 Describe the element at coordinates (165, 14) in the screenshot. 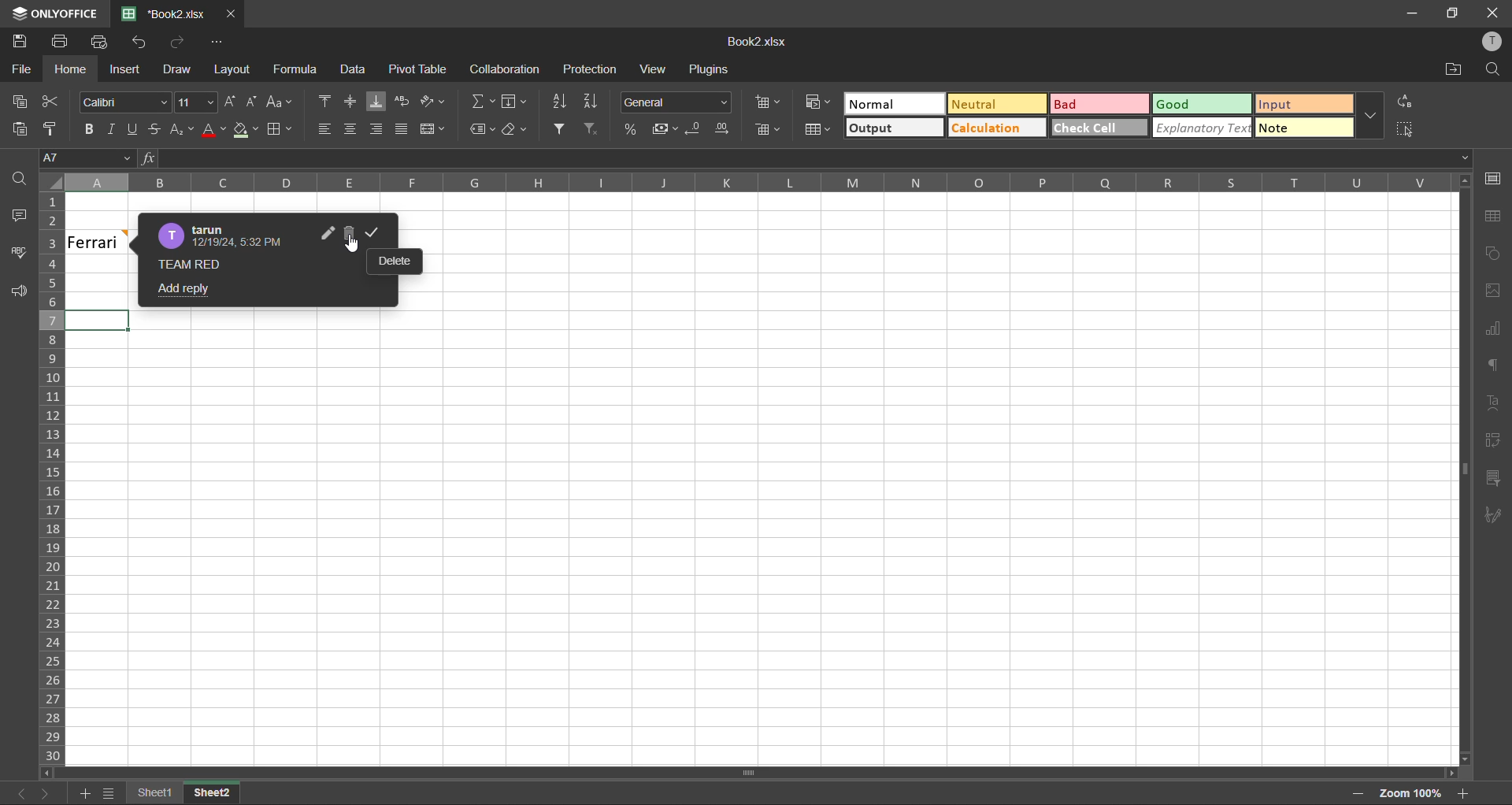

I see `Book2.xlsx` at that location.